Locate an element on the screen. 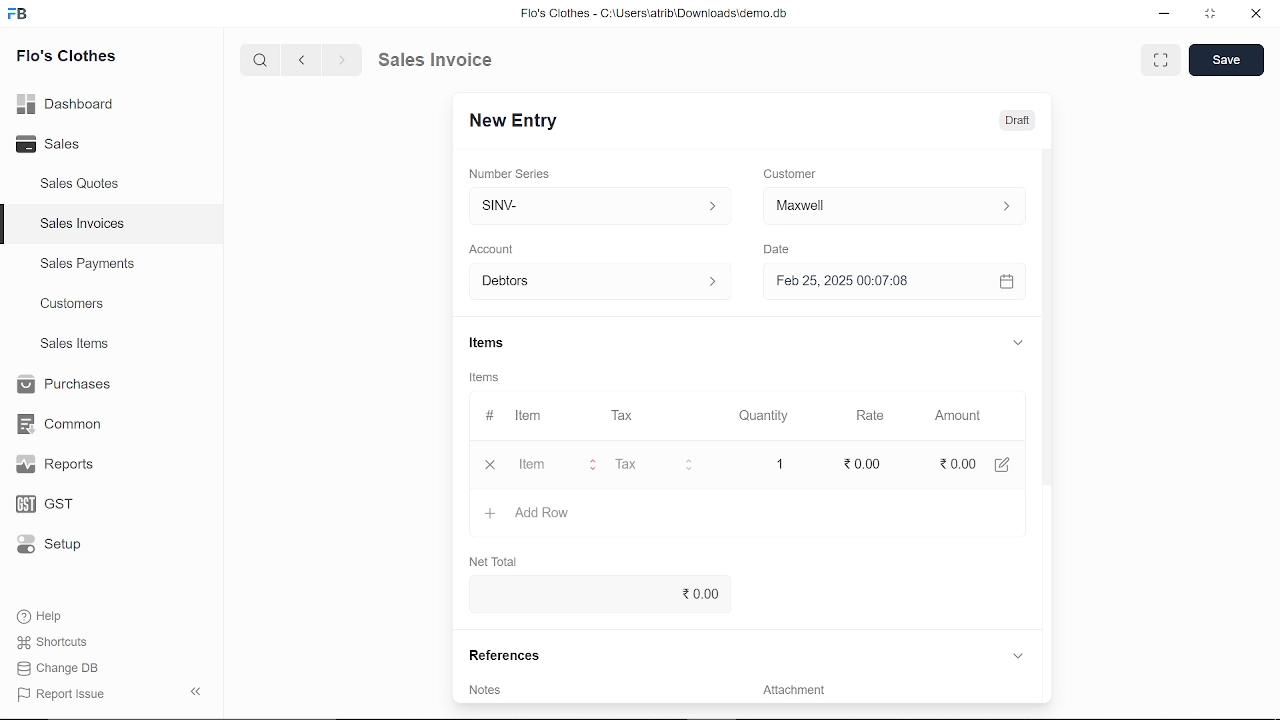 Image resolution: width=1280 pixels, height=720 pixels. restore down is located at coordinates (1207, 15).